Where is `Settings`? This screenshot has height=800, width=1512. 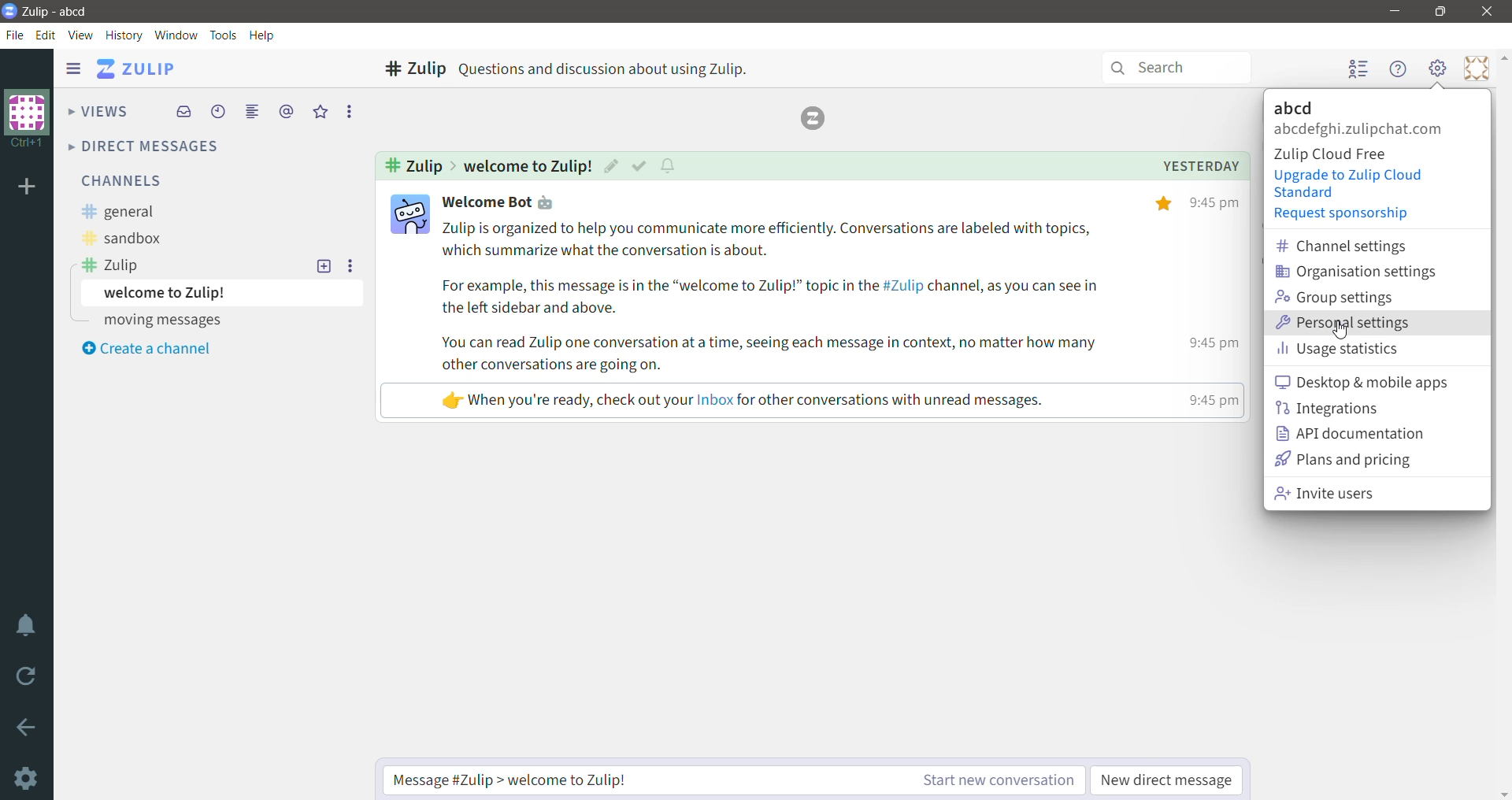 Settings is located at coordinates (24, 778).